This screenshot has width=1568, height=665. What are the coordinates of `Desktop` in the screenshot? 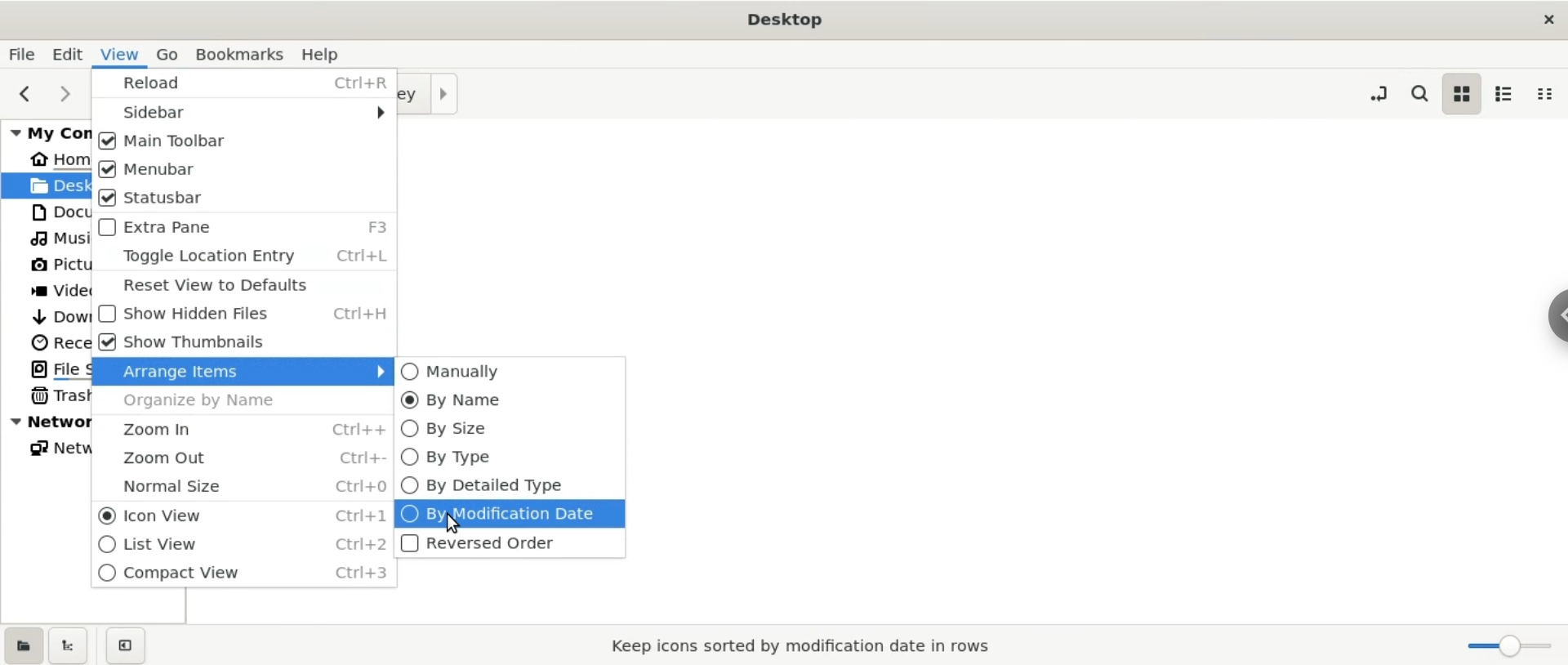 It's located at (785, 19).